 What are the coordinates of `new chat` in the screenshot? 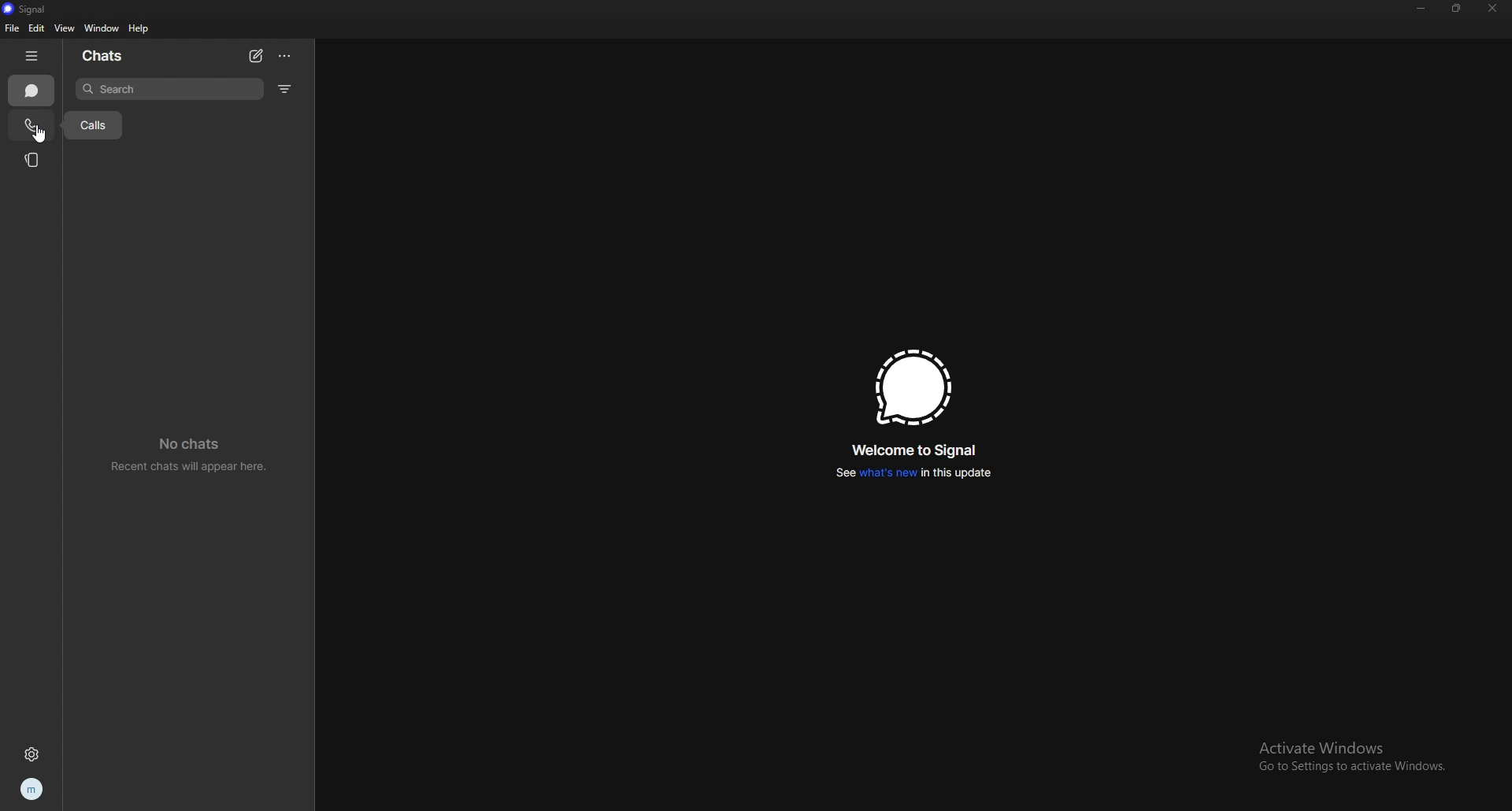 It's located at (255, 56).